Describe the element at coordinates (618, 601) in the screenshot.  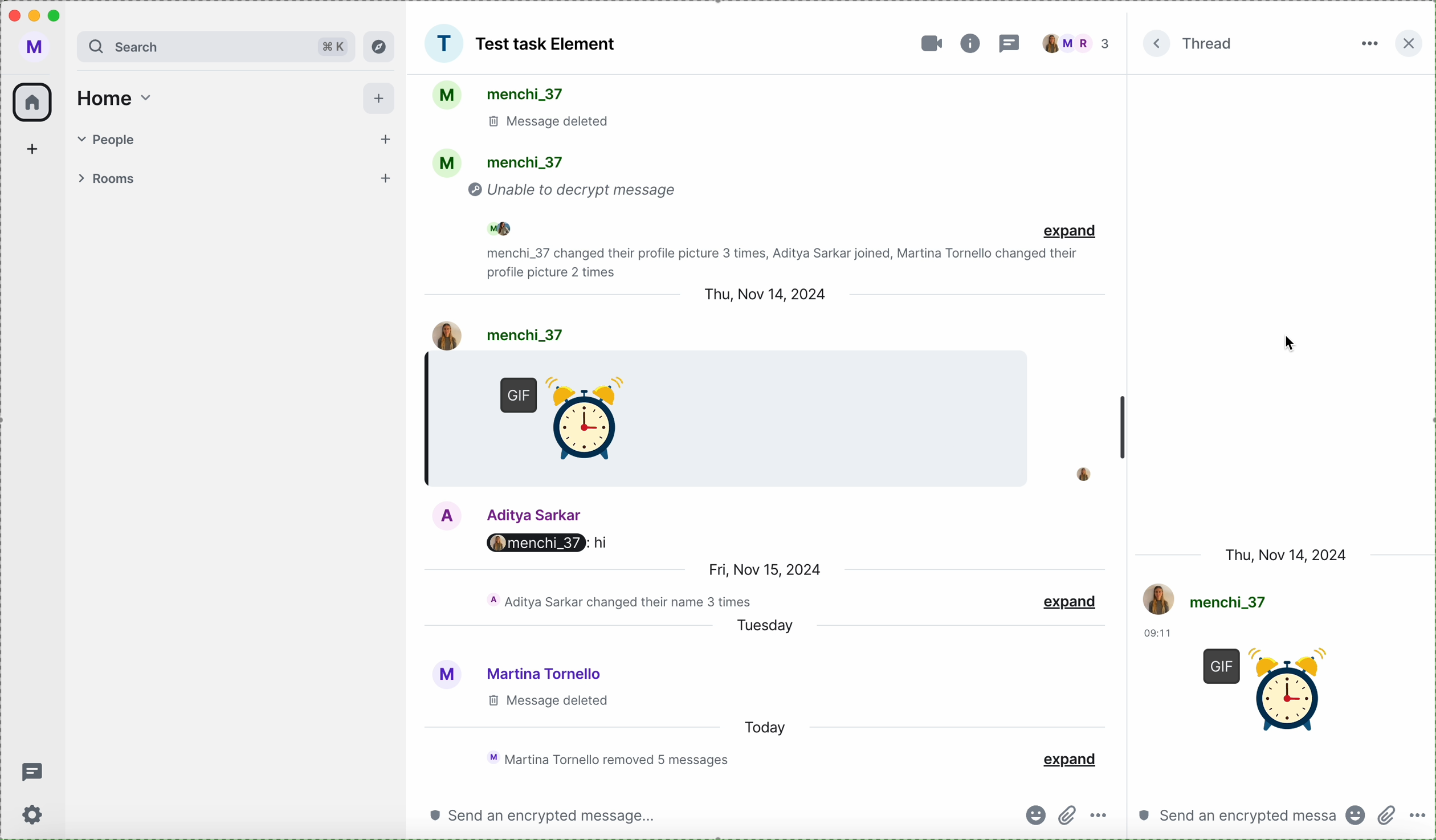
I see `chat activity of the day` at that location.